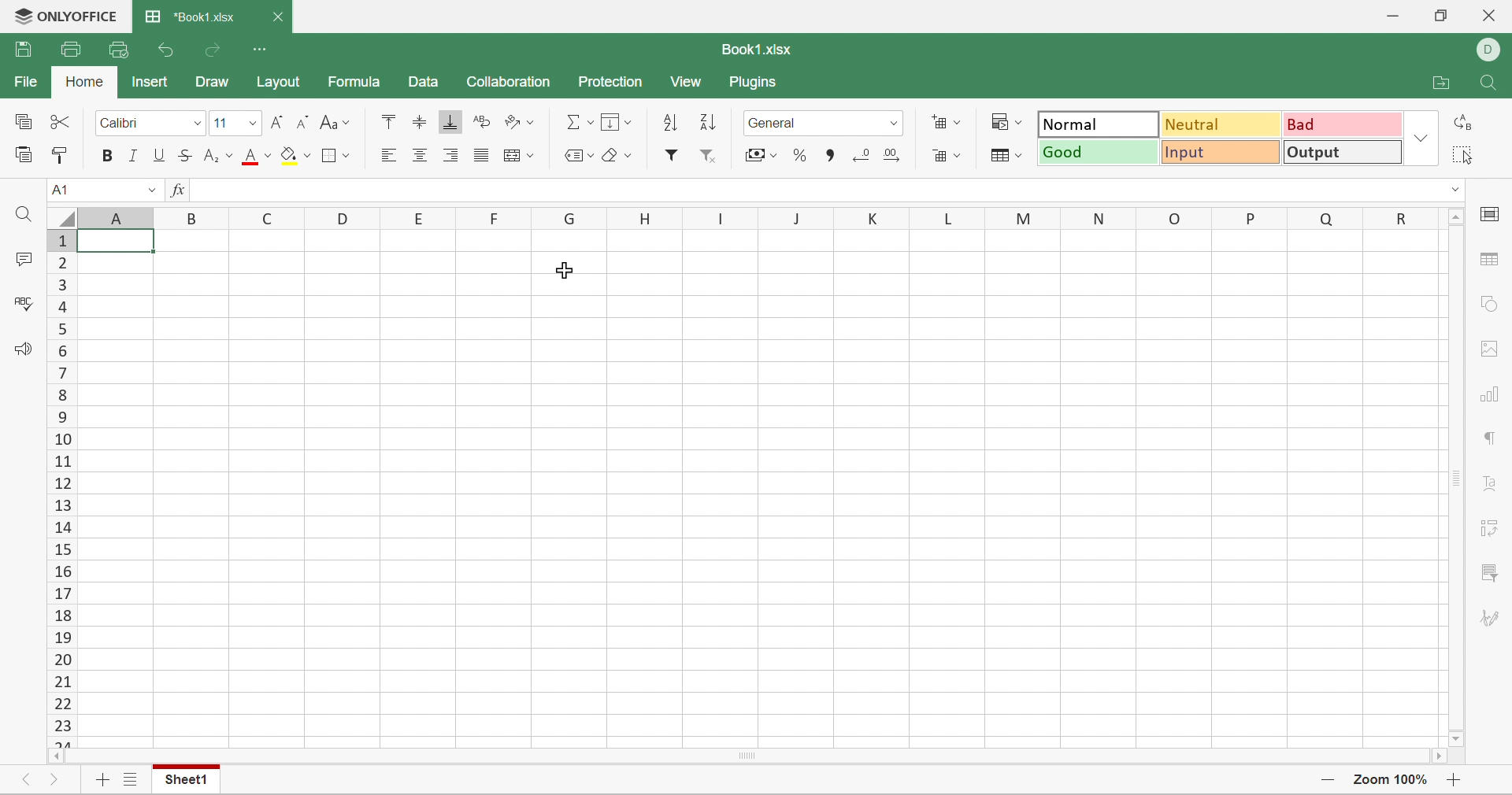 The image size is (1512, 795). I want to click on A1, so click(63, 190).